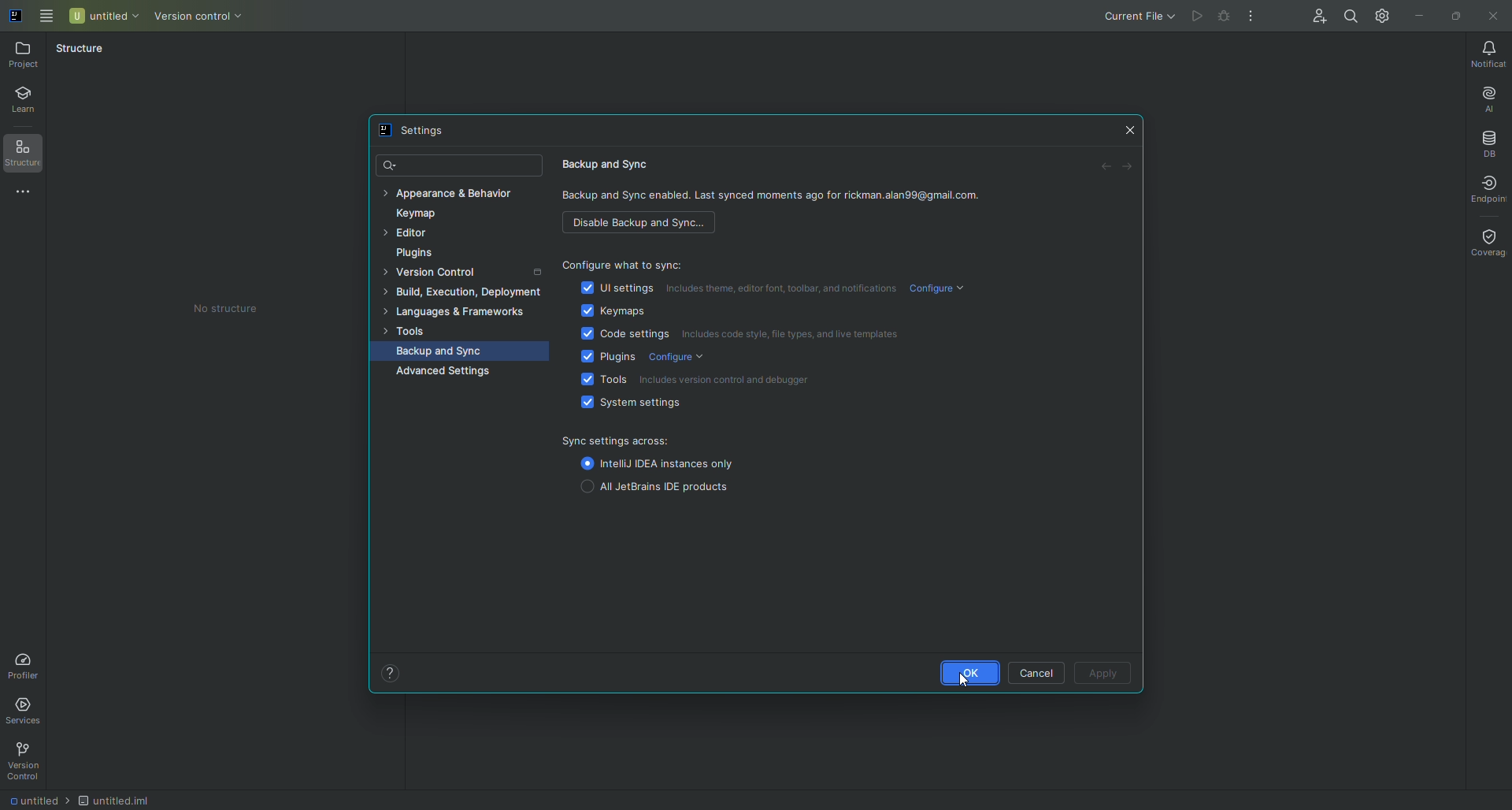  What do you see at coordinates (421, 217) in the screenshot?
I see `Keymap` at bounding box center [421, 217].